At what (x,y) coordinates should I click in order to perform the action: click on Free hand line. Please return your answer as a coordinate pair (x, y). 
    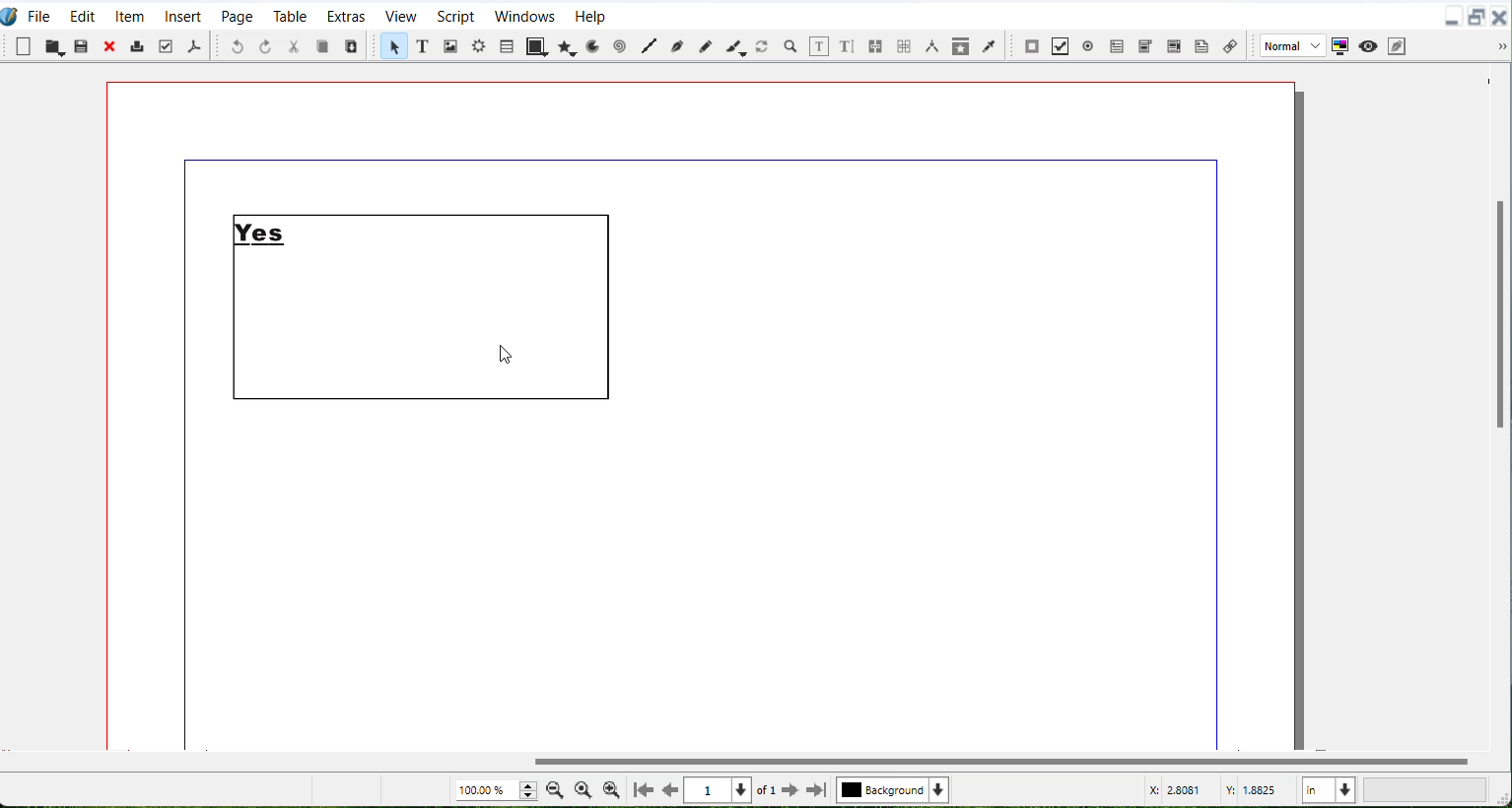
    Looking at the image, I should click on (705, 46).